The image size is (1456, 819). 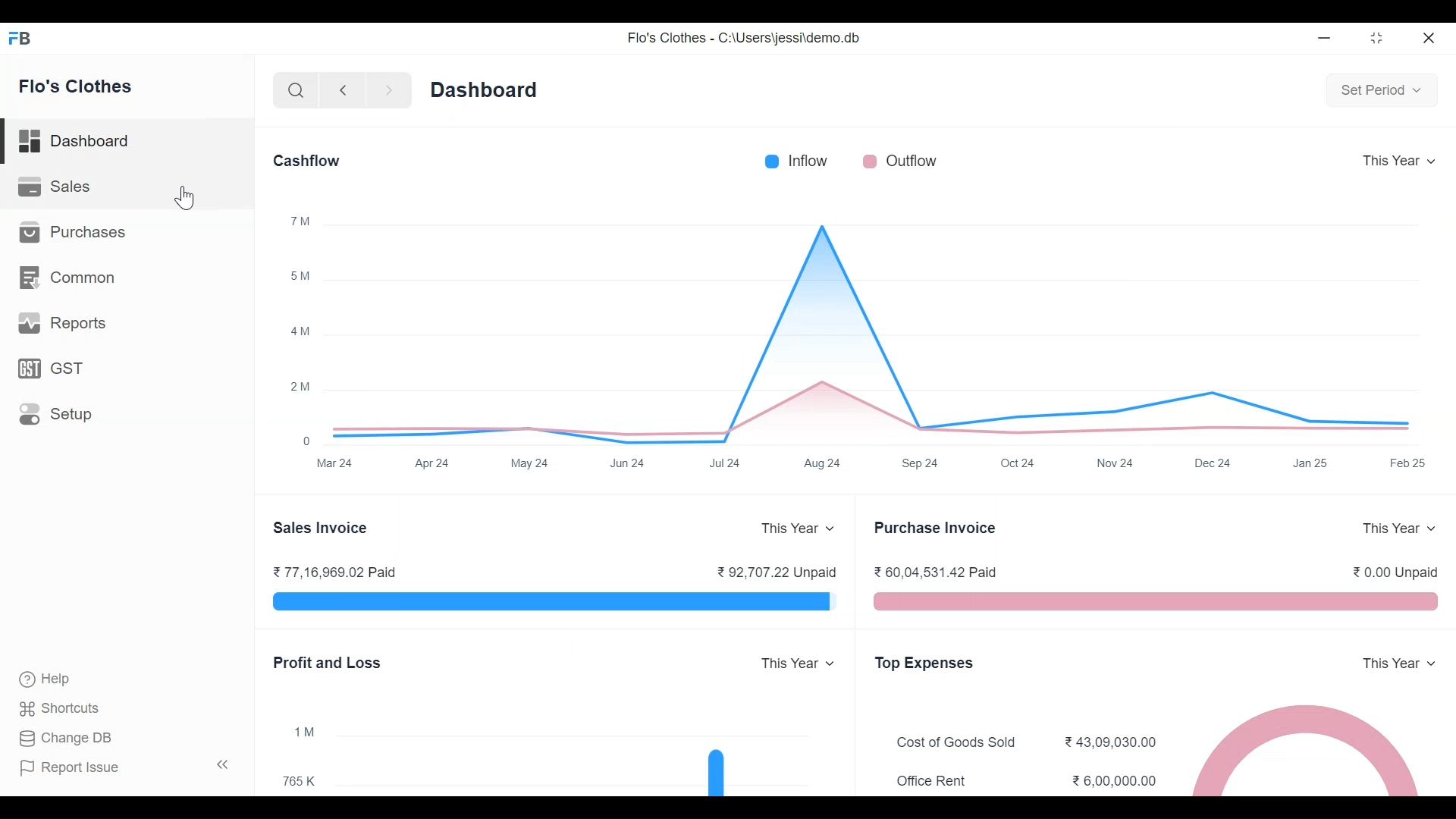 I want to click on 1™, so click(x=306, y=730).